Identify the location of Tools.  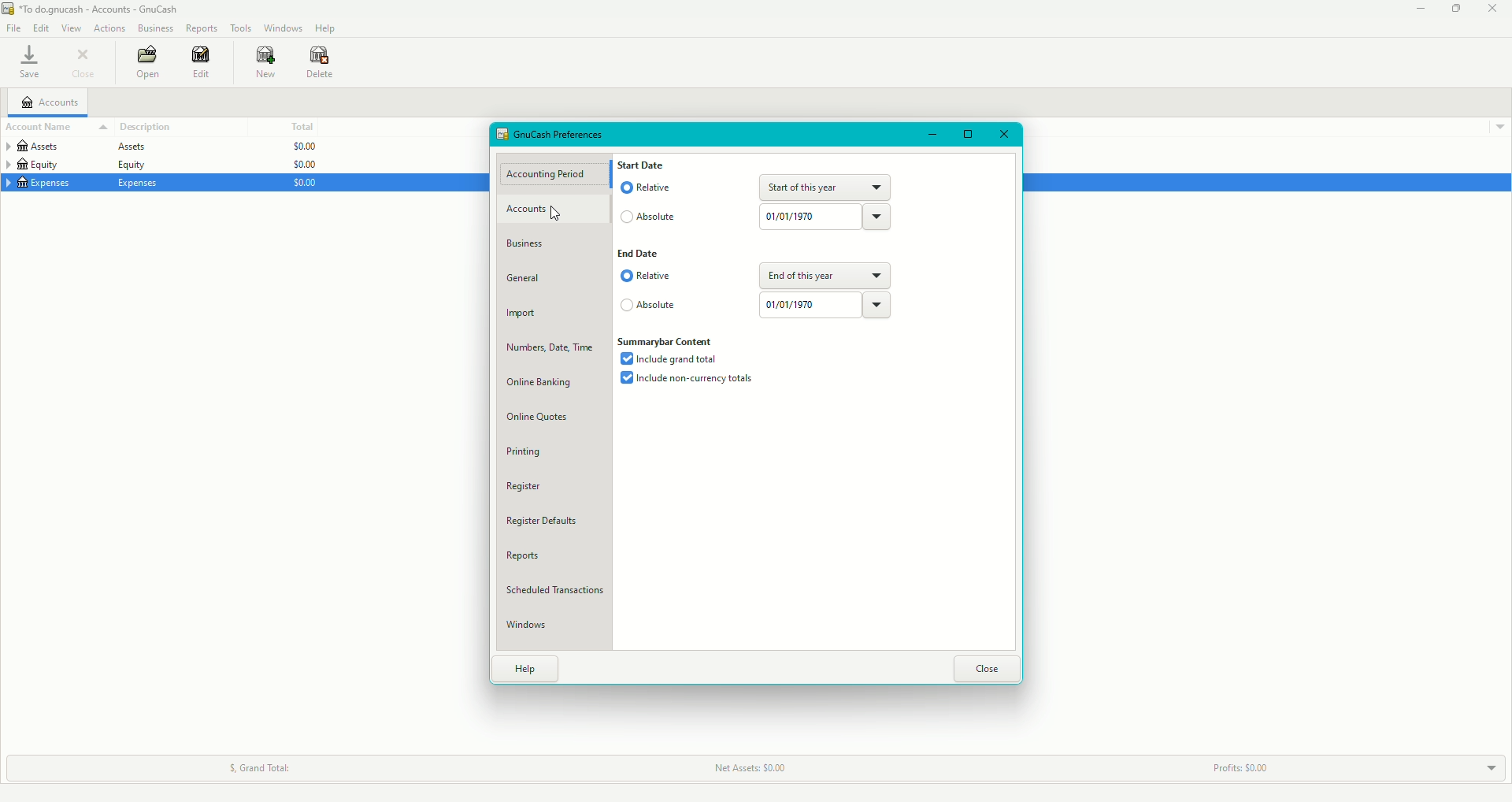
(241, 27).